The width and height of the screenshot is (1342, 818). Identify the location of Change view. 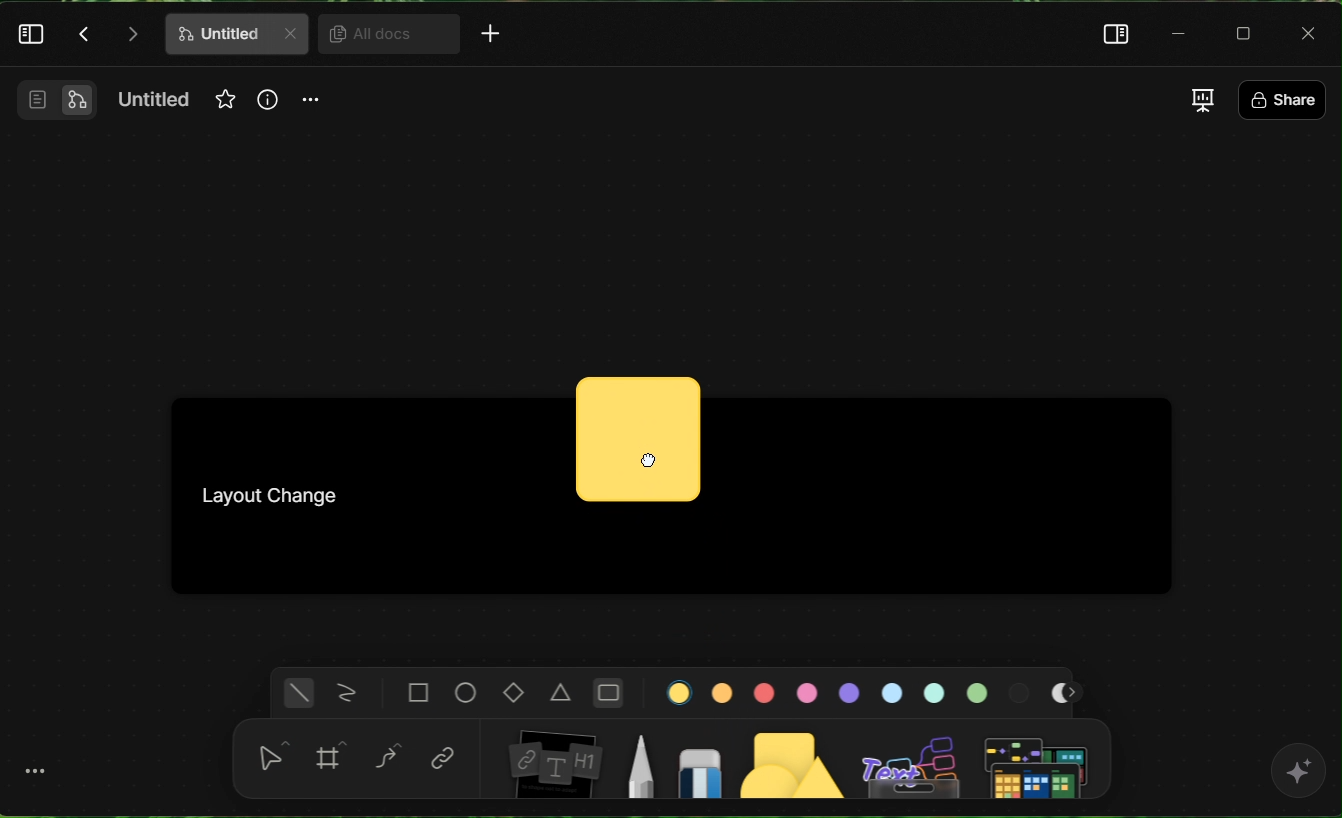
(1201, 100).